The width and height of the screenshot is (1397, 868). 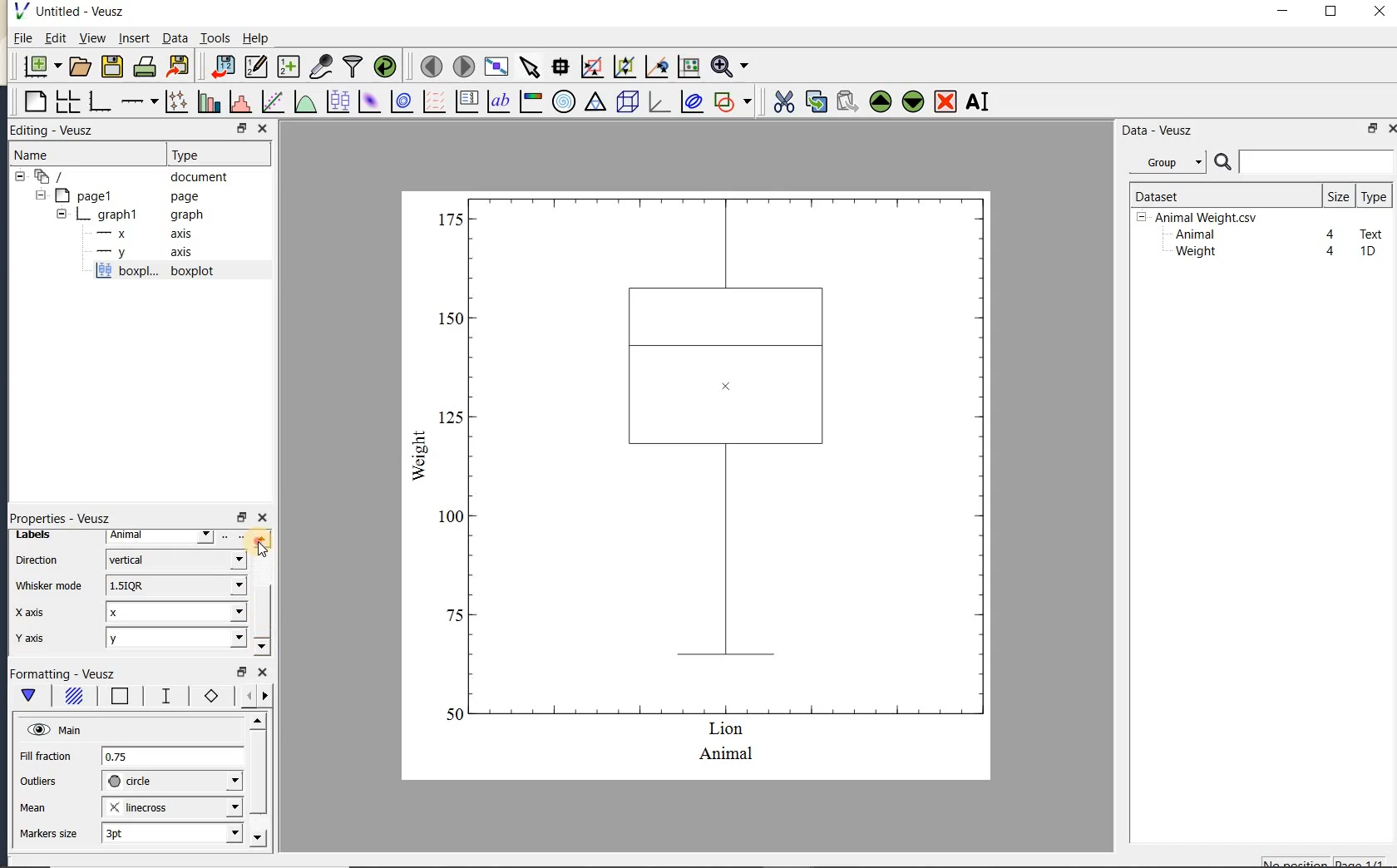 I want to click on move to the next page, so click(x=462, y=65).